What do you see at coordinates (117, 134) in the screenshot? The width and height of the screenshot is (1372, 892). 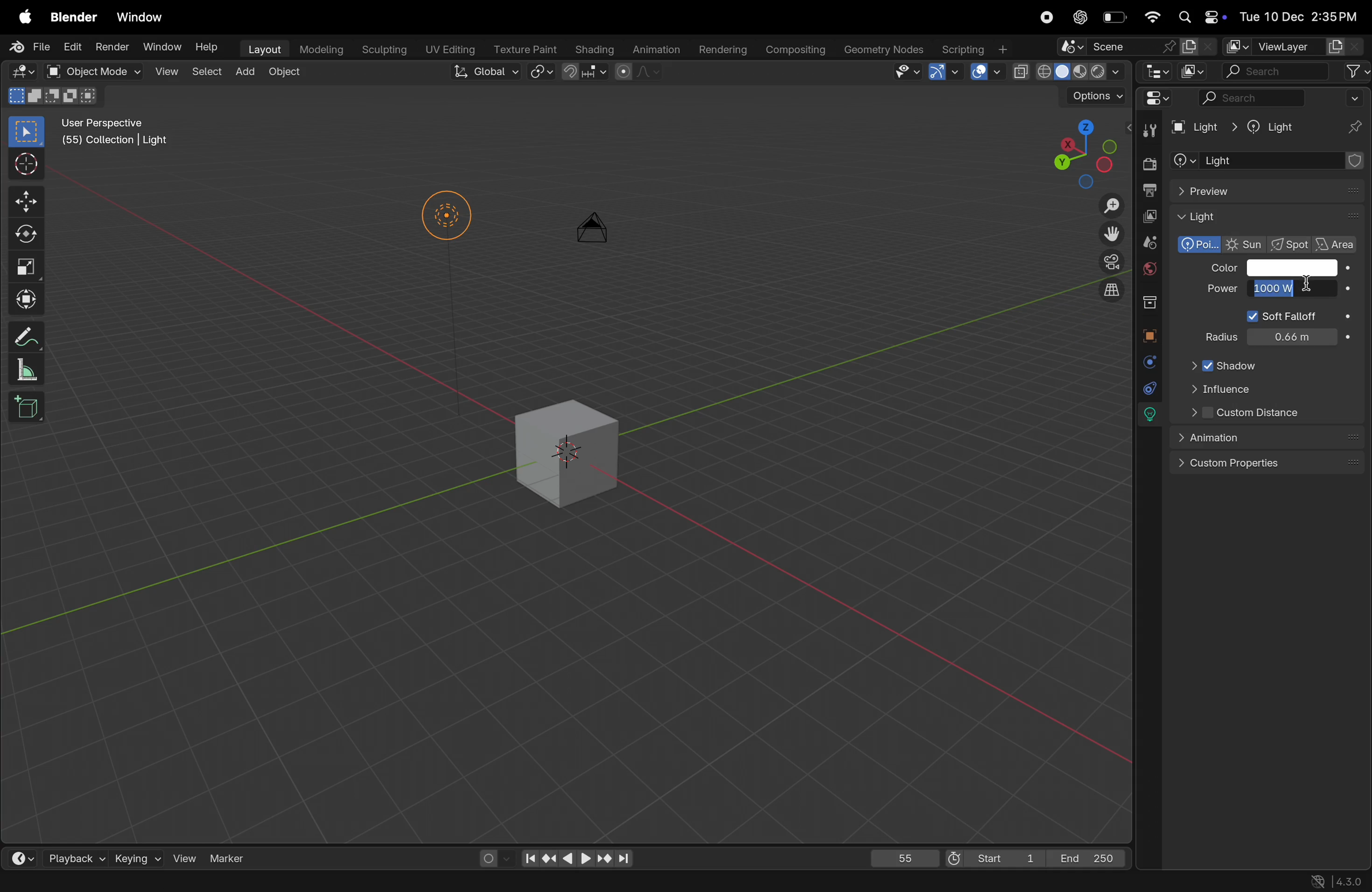 I see `User perspective` at bounding box center [117, 134].